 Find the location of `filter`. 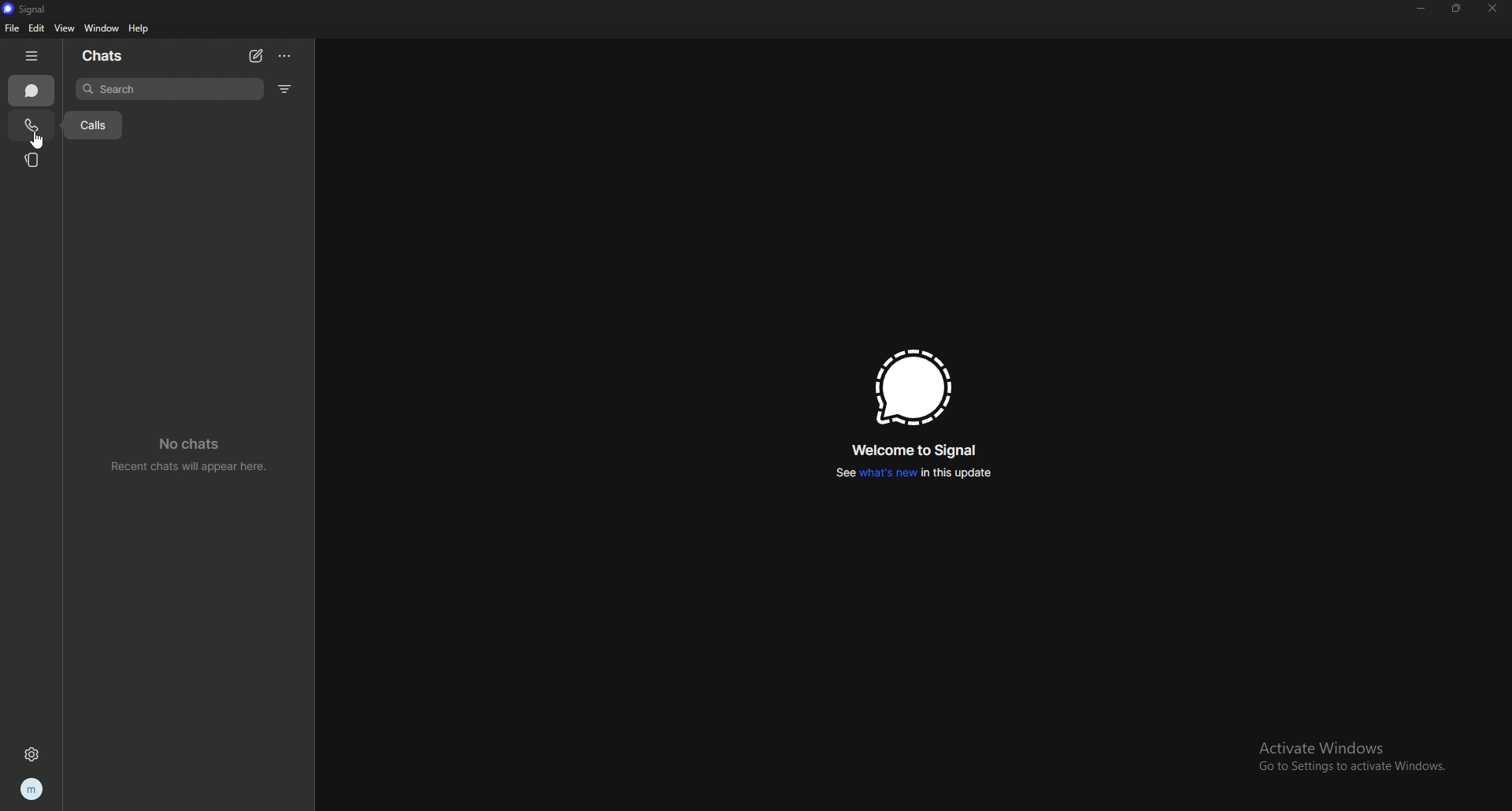

filter is located at coordinates (286, 88).